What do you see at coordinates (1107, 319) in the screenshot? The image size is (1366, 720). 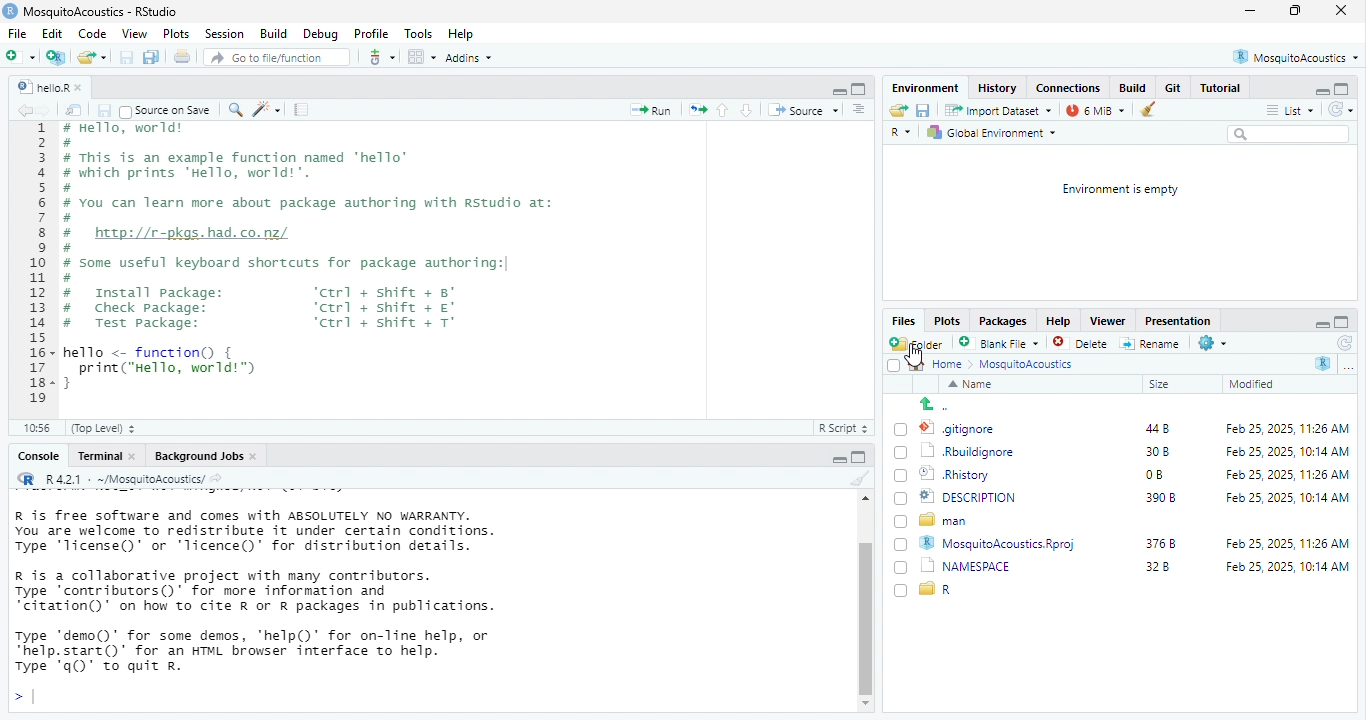 I see `Viewer` at bounding box center [1107, 319].